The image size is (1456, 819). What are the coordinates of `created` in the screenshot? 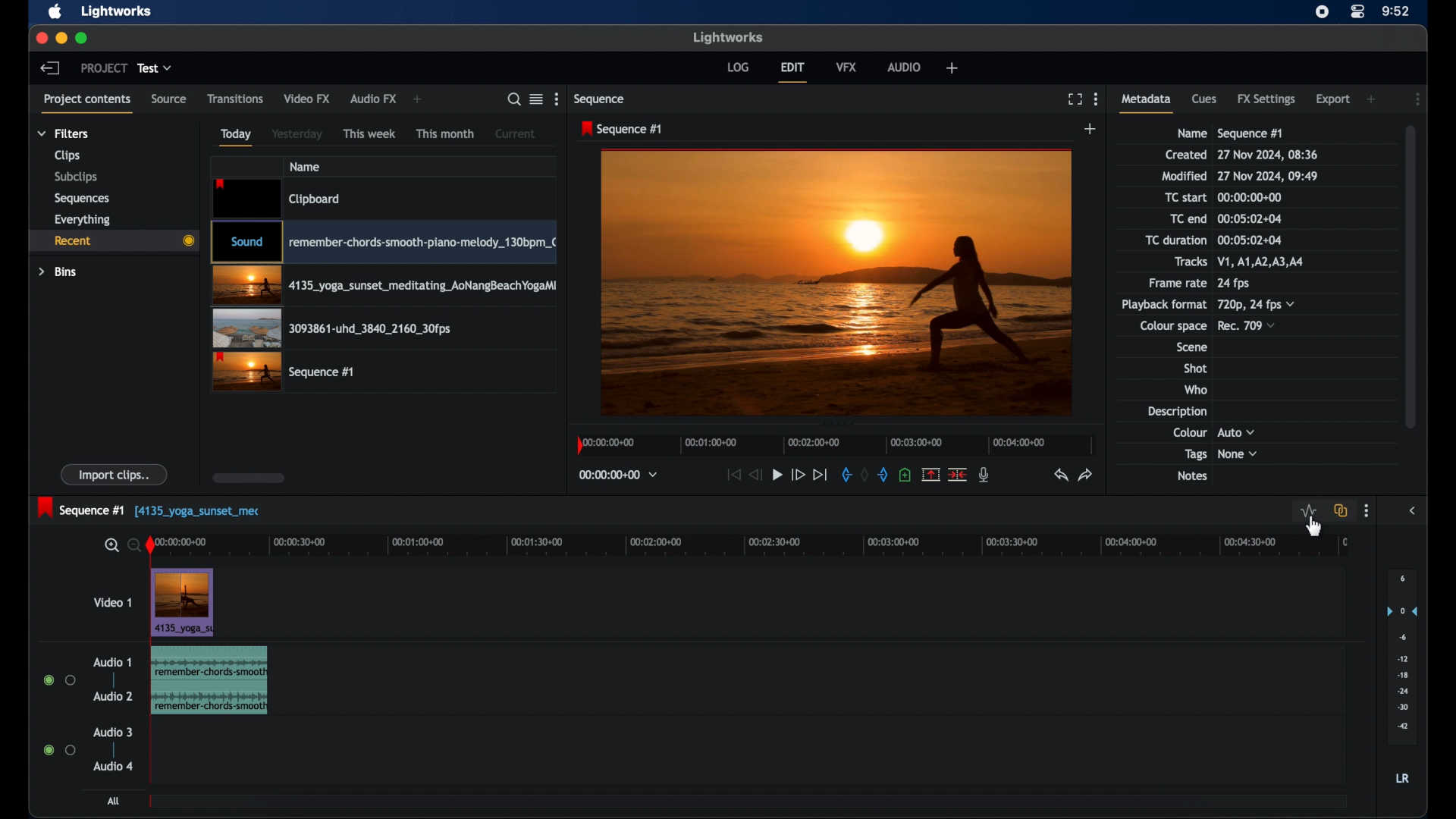 It's located at (1186, 155).